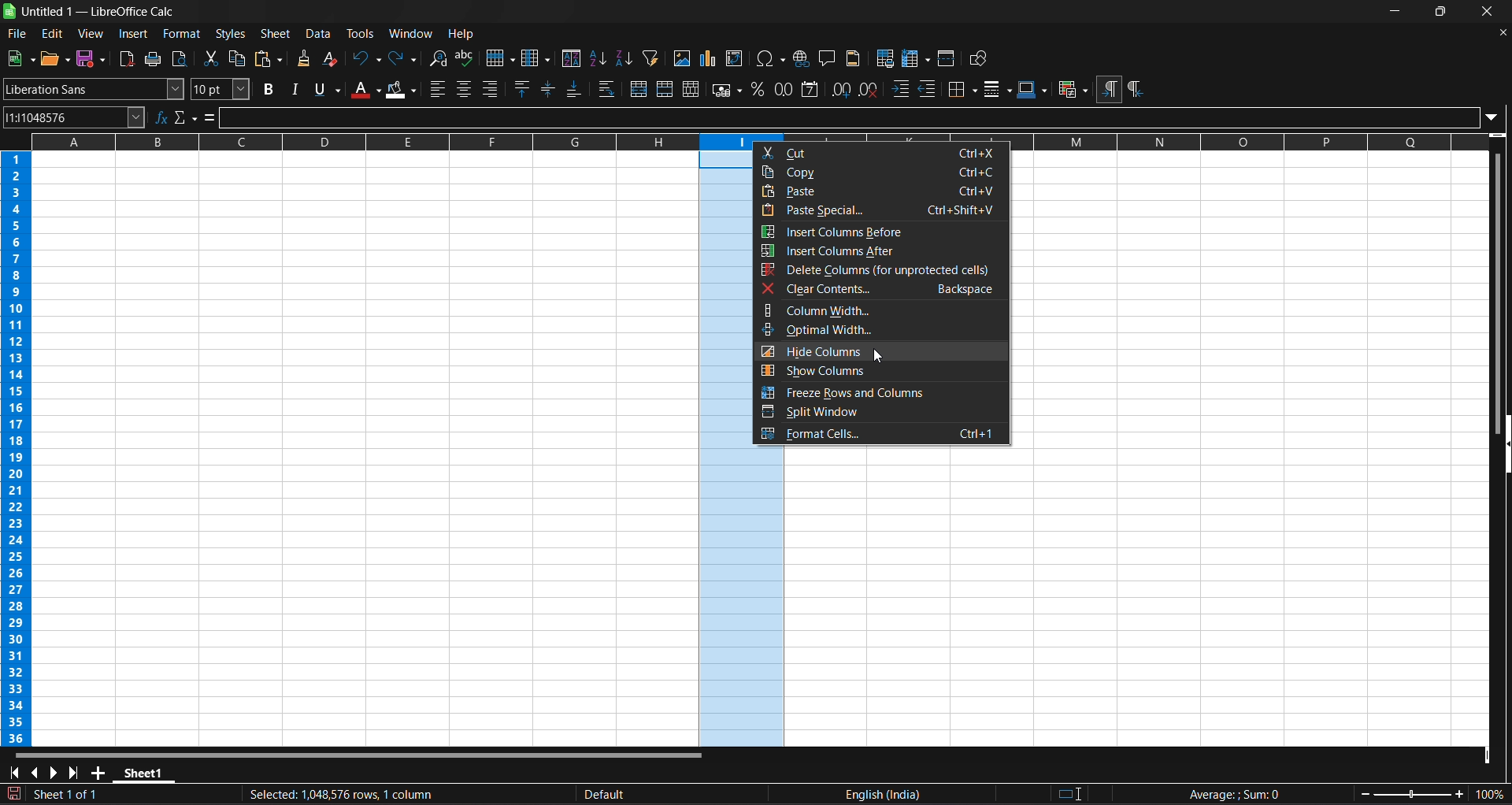 This screenshot has height=805, width=1512. What do you see at coordinates (89, 32) in the screenshot?
I see `view` at bounding box center [89, 32].